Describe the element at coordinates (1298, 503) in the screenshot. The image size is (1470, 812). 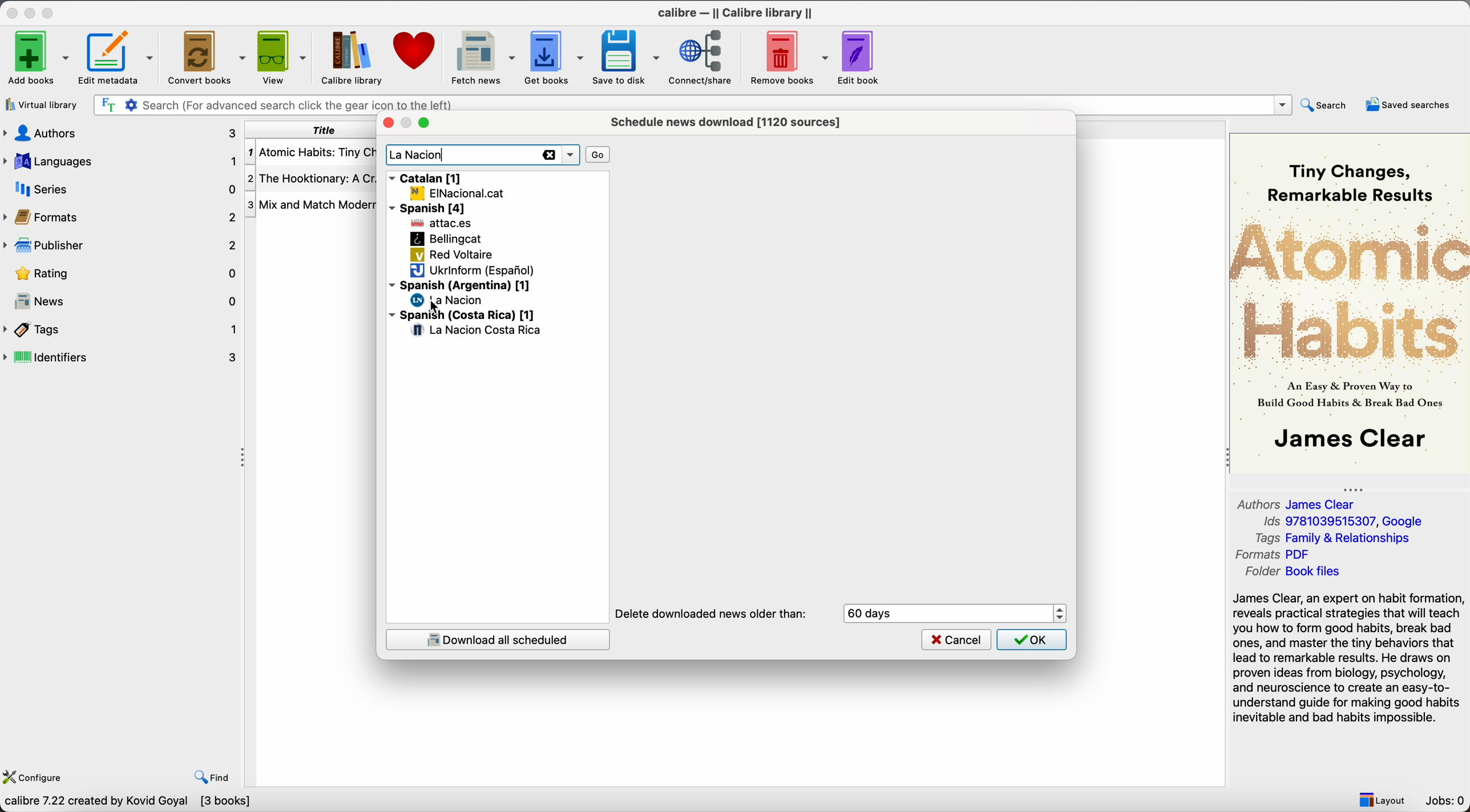
I see `Authors James Clear` at that location.